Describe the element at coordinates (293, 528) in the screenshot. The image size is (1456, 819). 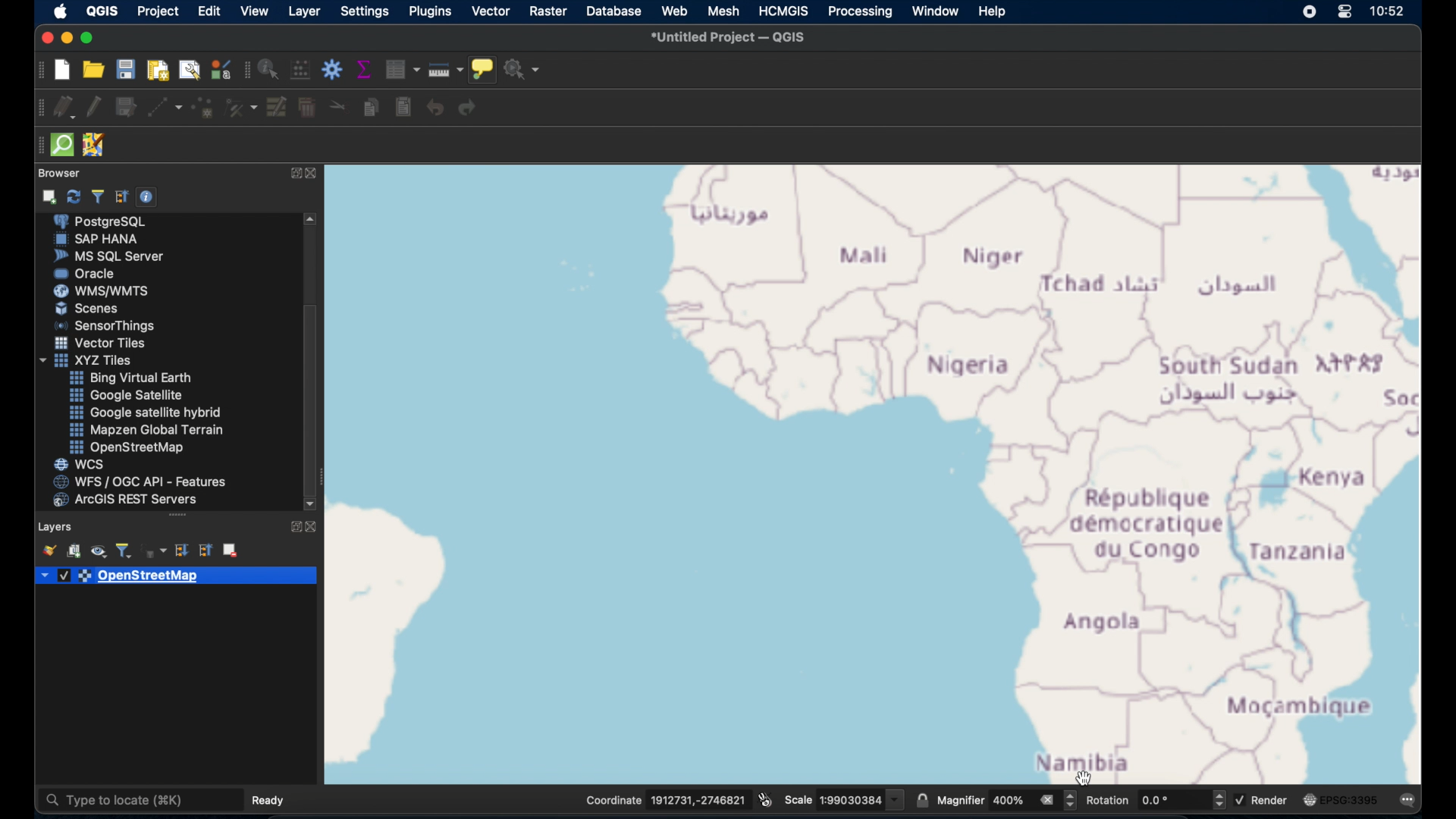
I see `expand` at that location.